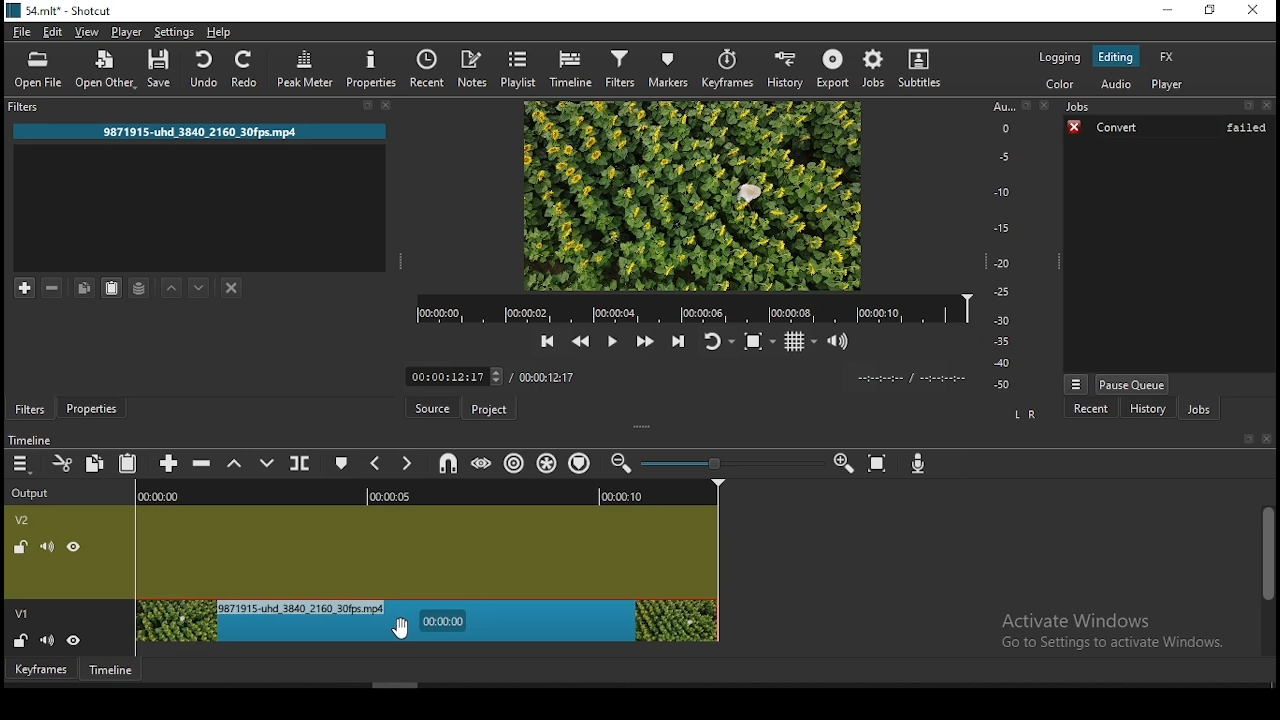  What do you see at coordinates (695, 196) in the screenshot?
I see `preview` at bounding box center [695, 196].